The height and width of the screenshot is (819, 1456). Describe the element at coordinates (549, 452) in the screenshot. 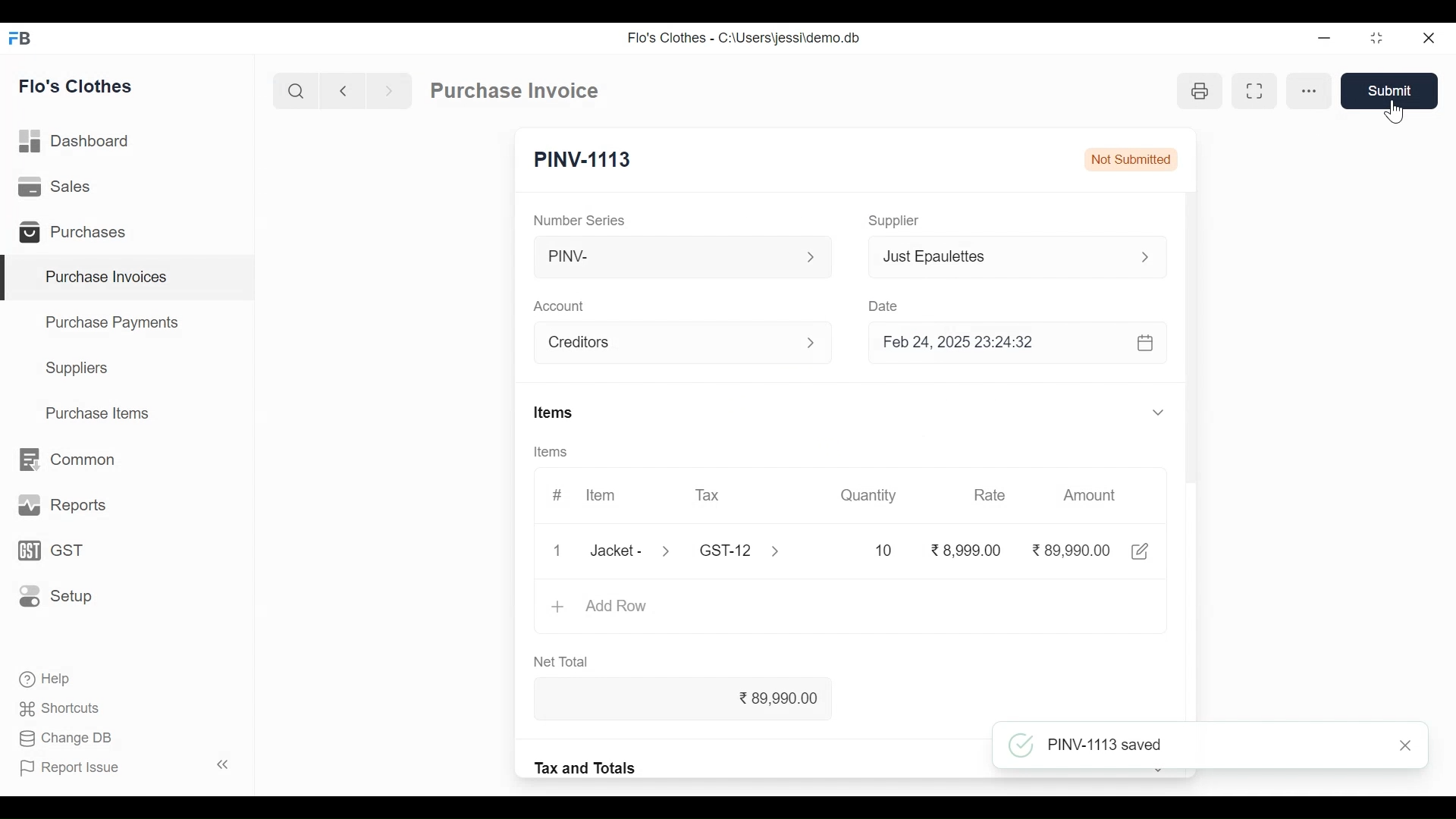

I see `Items` at that location.